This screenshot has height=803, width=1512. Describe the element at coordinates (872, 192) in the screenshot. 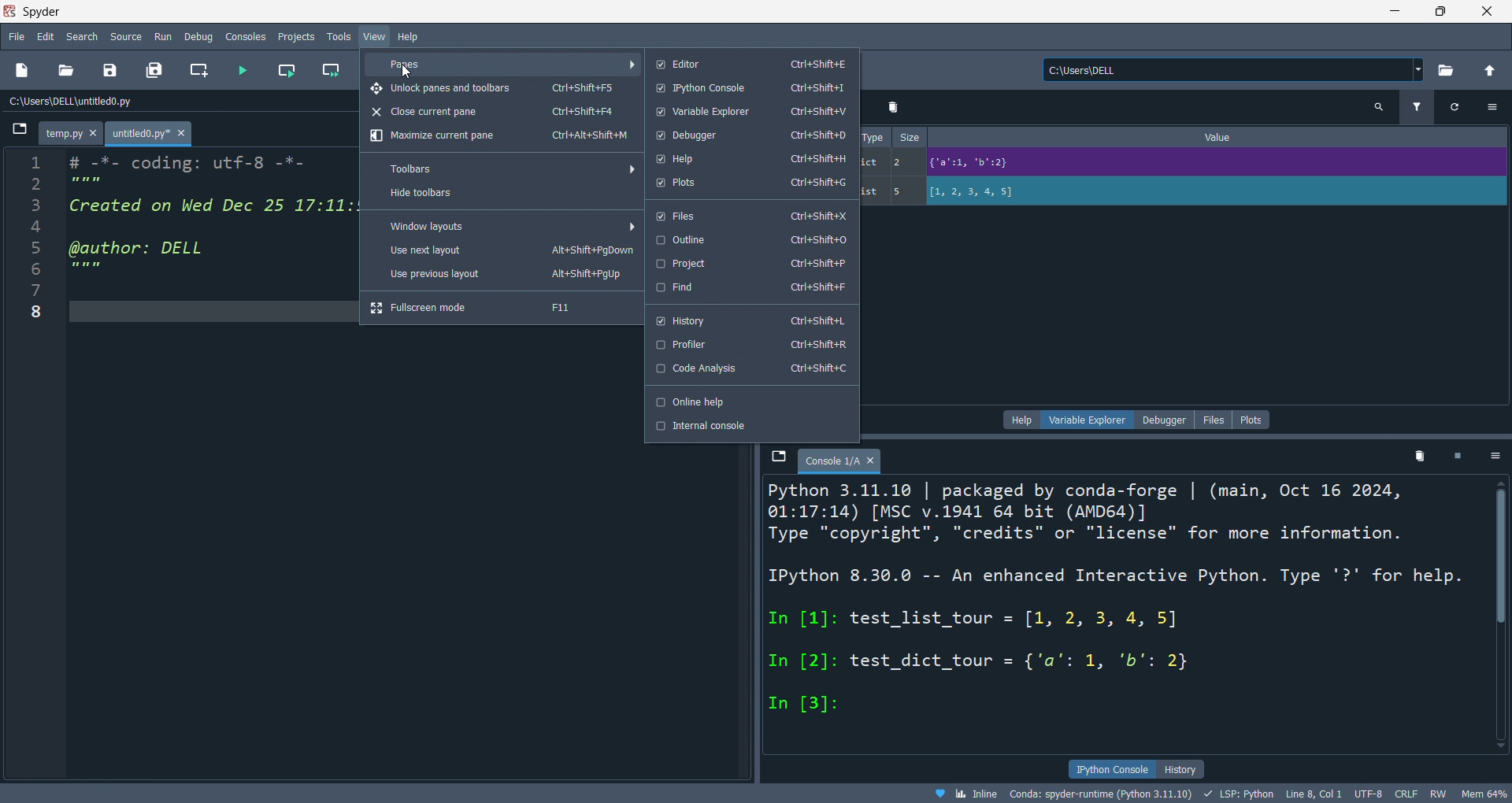

I see `list` at that location.